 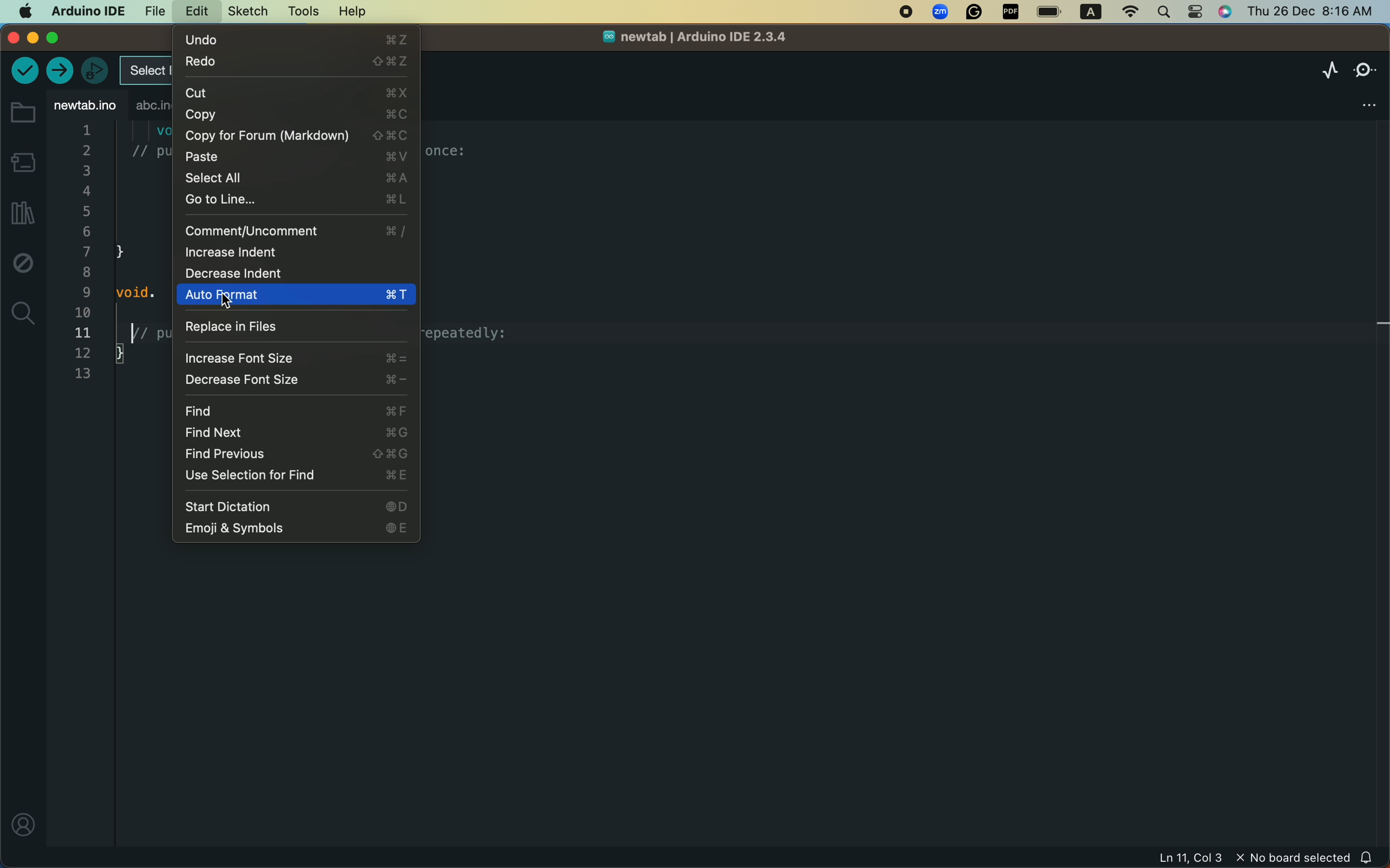 I want to click on file, so click(x=152, y=10).